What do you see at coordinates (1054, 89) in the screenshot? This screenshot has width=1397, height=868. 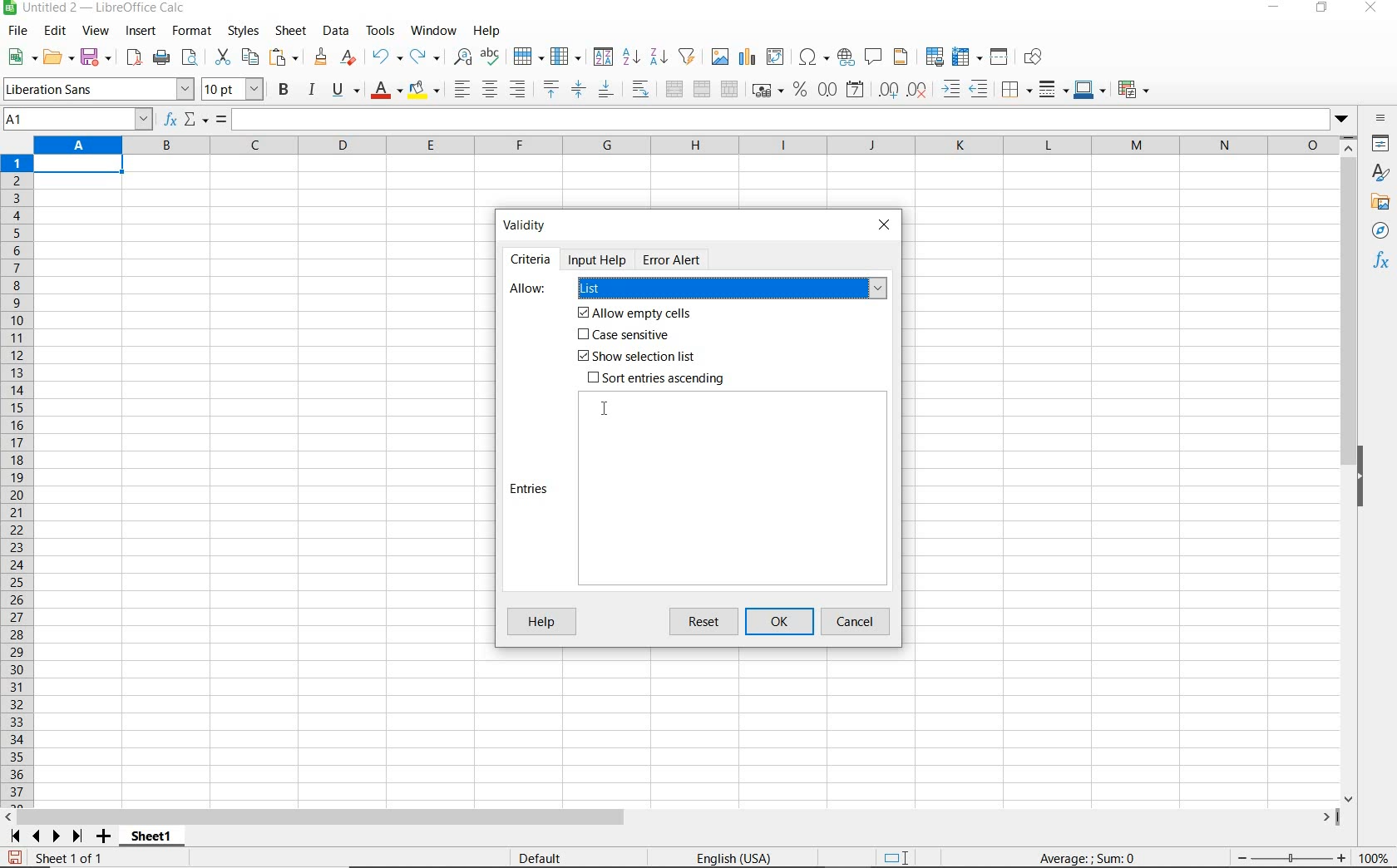 I see `border style` at bounding box center [1054, 89].